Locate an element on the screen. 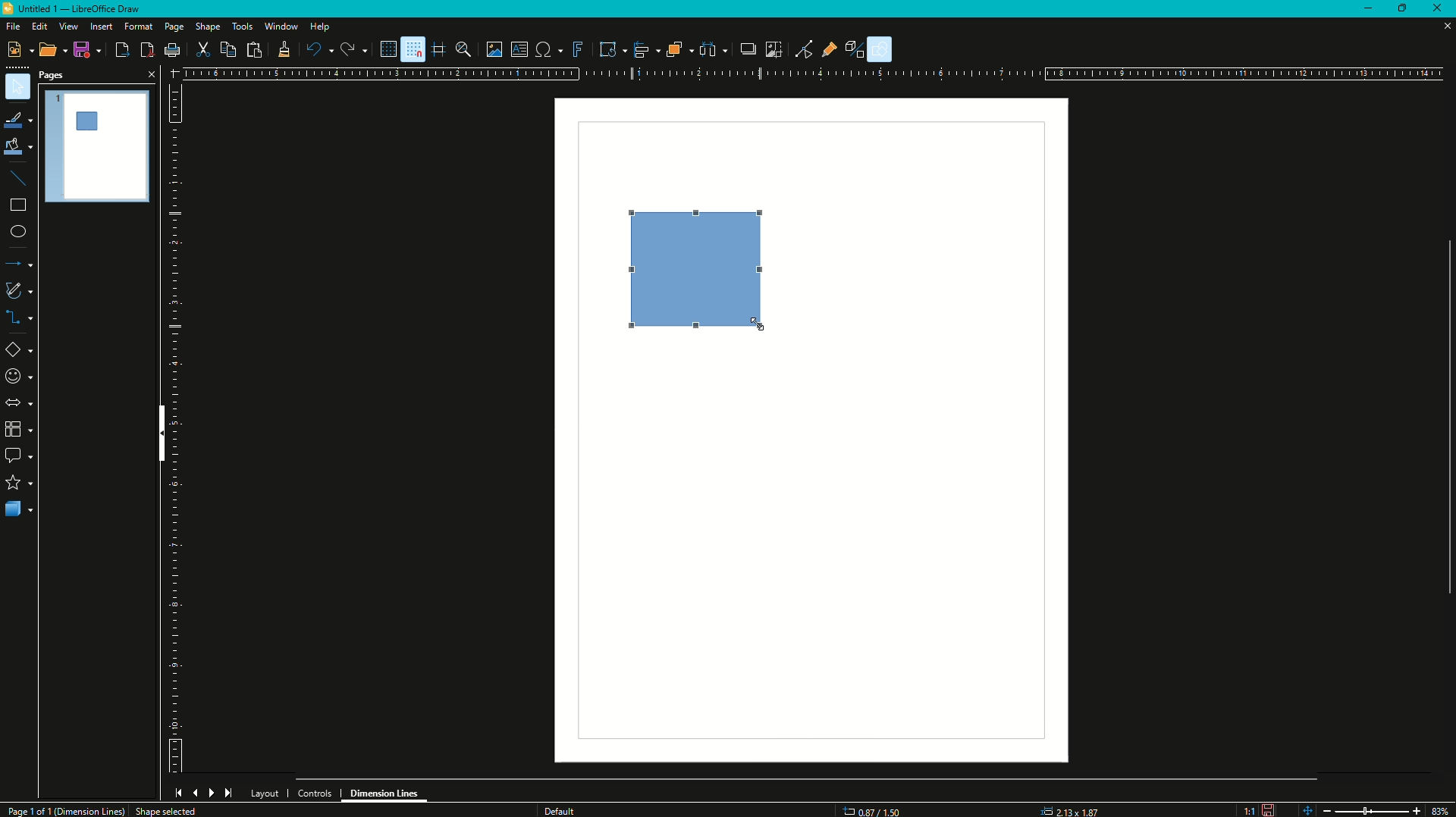 This screenshot has height=817, width=1456. Shadow is located at coordinates (744, 49).